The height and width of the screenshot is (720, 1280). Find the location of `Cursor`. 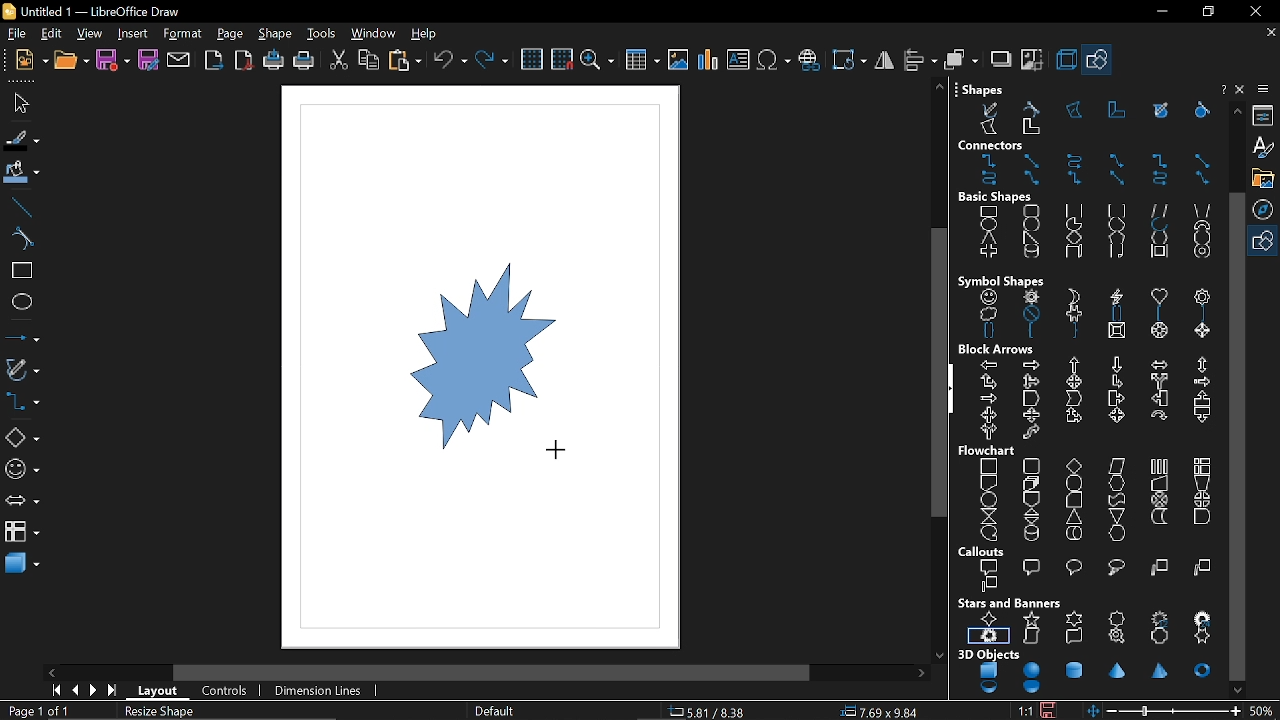

Cursor is located at coordinates (560, 450).